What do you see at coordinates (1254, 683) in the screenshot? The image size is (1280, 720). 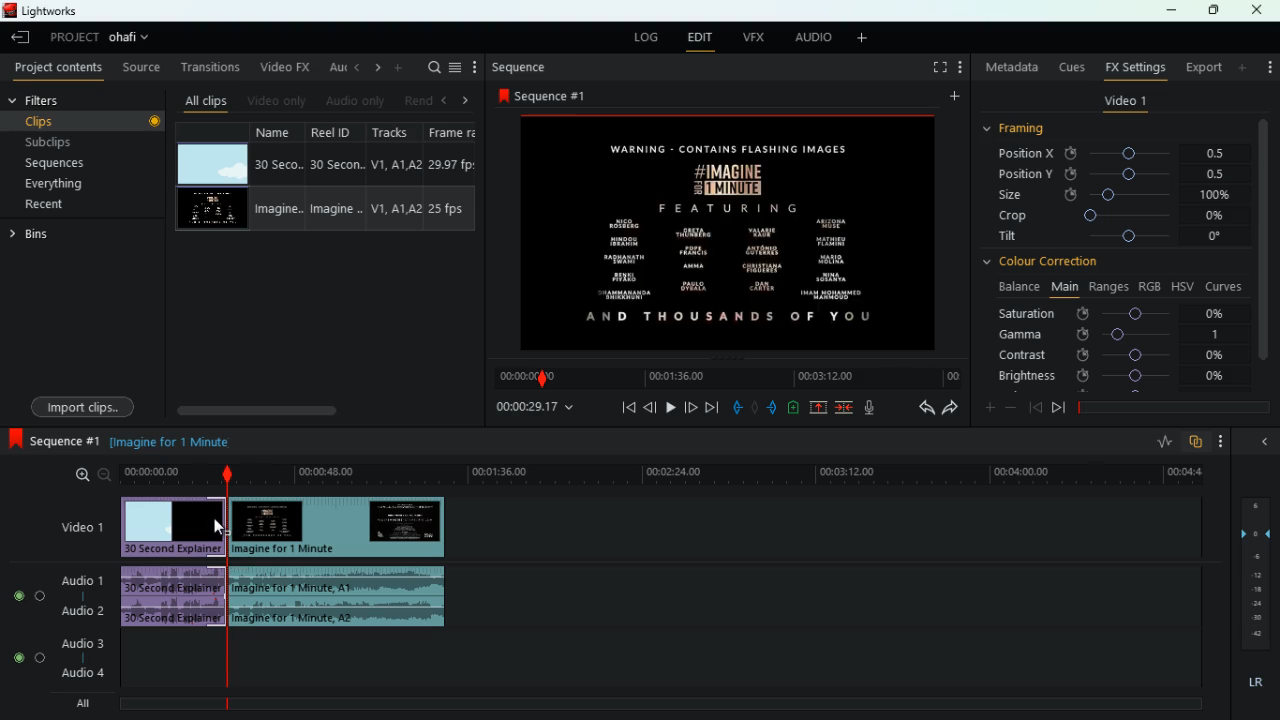 I see `lr` at bounding box center [1254, 683].